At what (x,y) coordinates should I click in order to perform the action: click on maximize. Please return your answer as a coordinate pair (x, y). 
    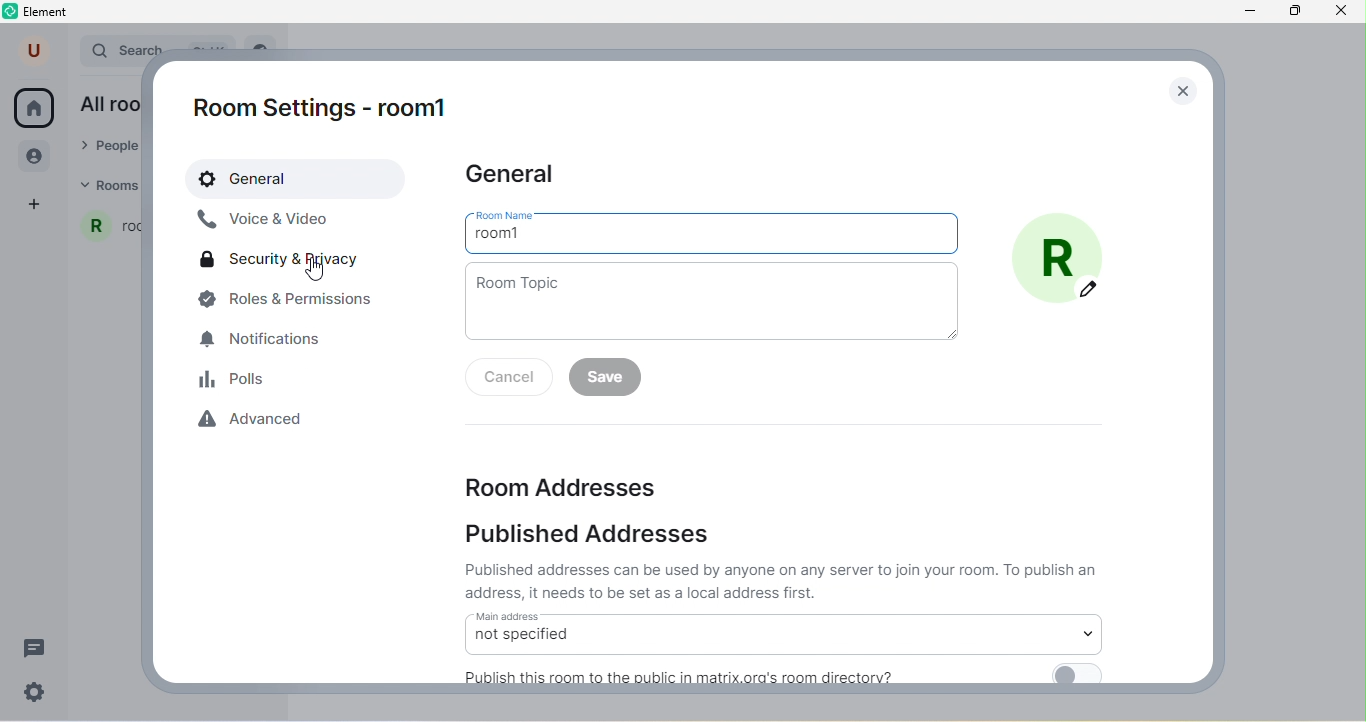
    Looking at the image, I should click on (1298, 13).